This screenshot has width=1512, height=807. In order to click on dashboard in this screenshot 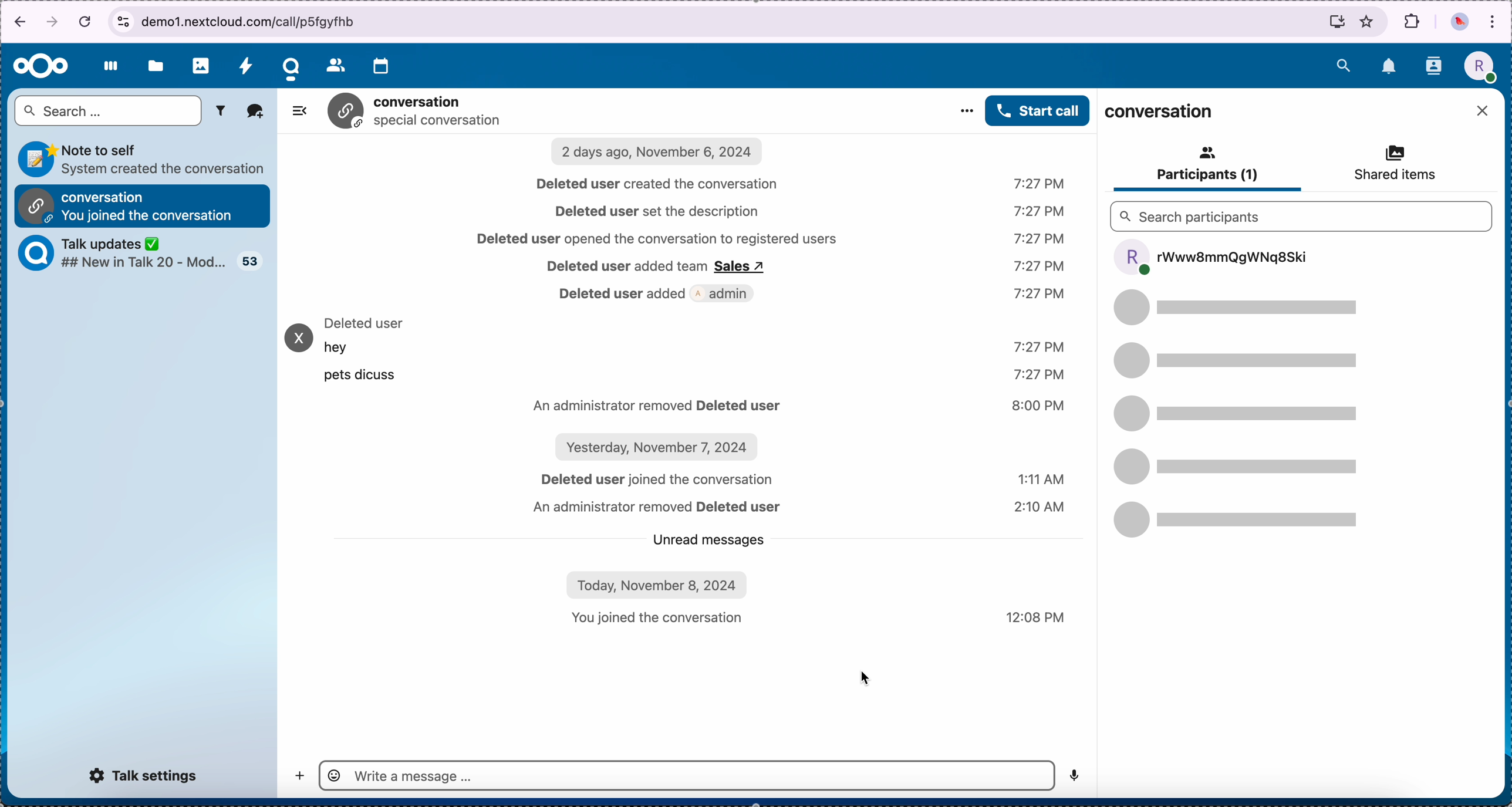, I will do `click(110, 67)`.